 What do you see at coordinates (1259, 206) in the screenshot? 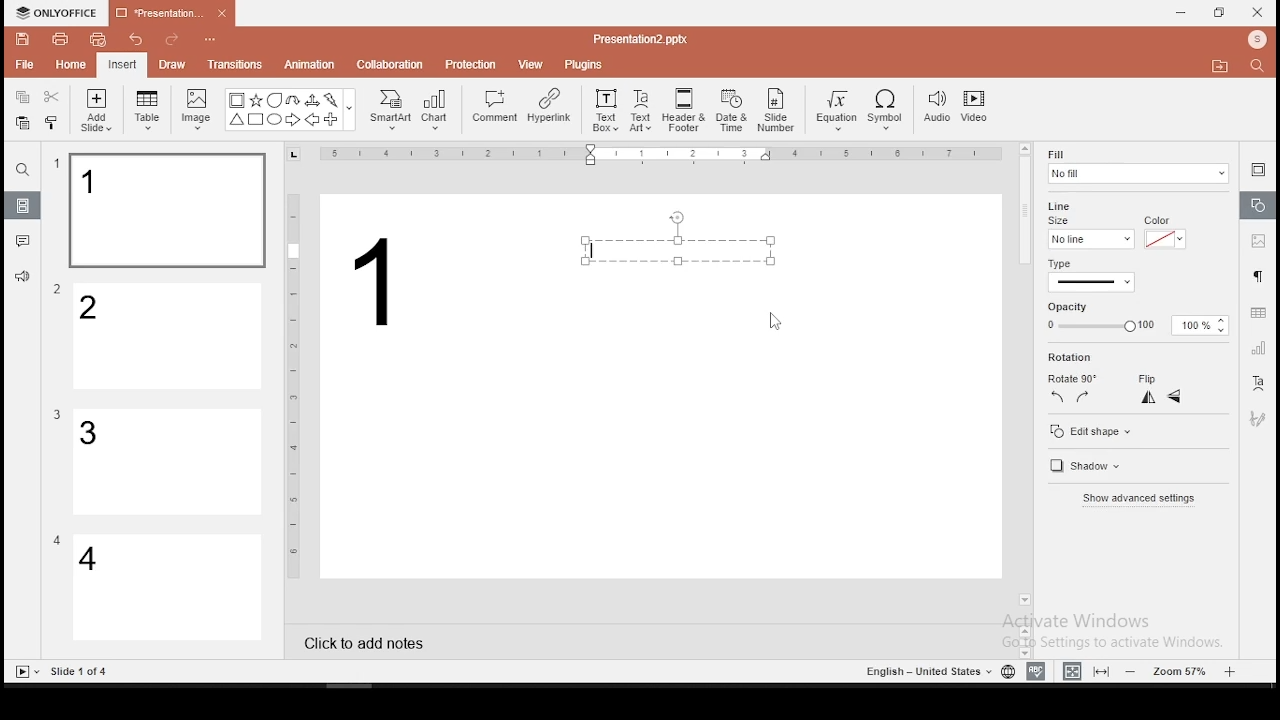
I see `shape settings` at bounding box center [1259, 206].